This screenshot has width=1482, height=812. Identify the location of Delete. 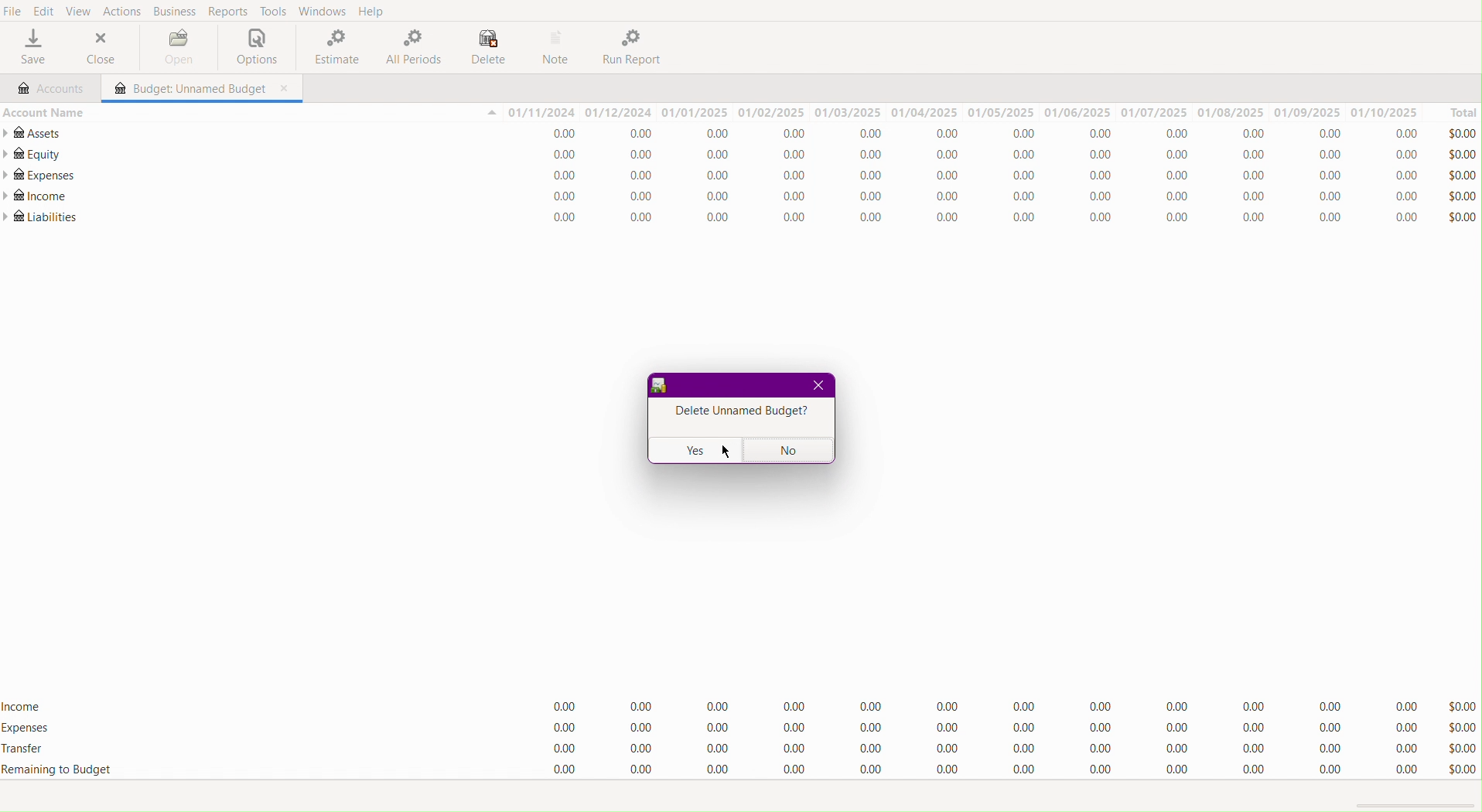
(487, 46).